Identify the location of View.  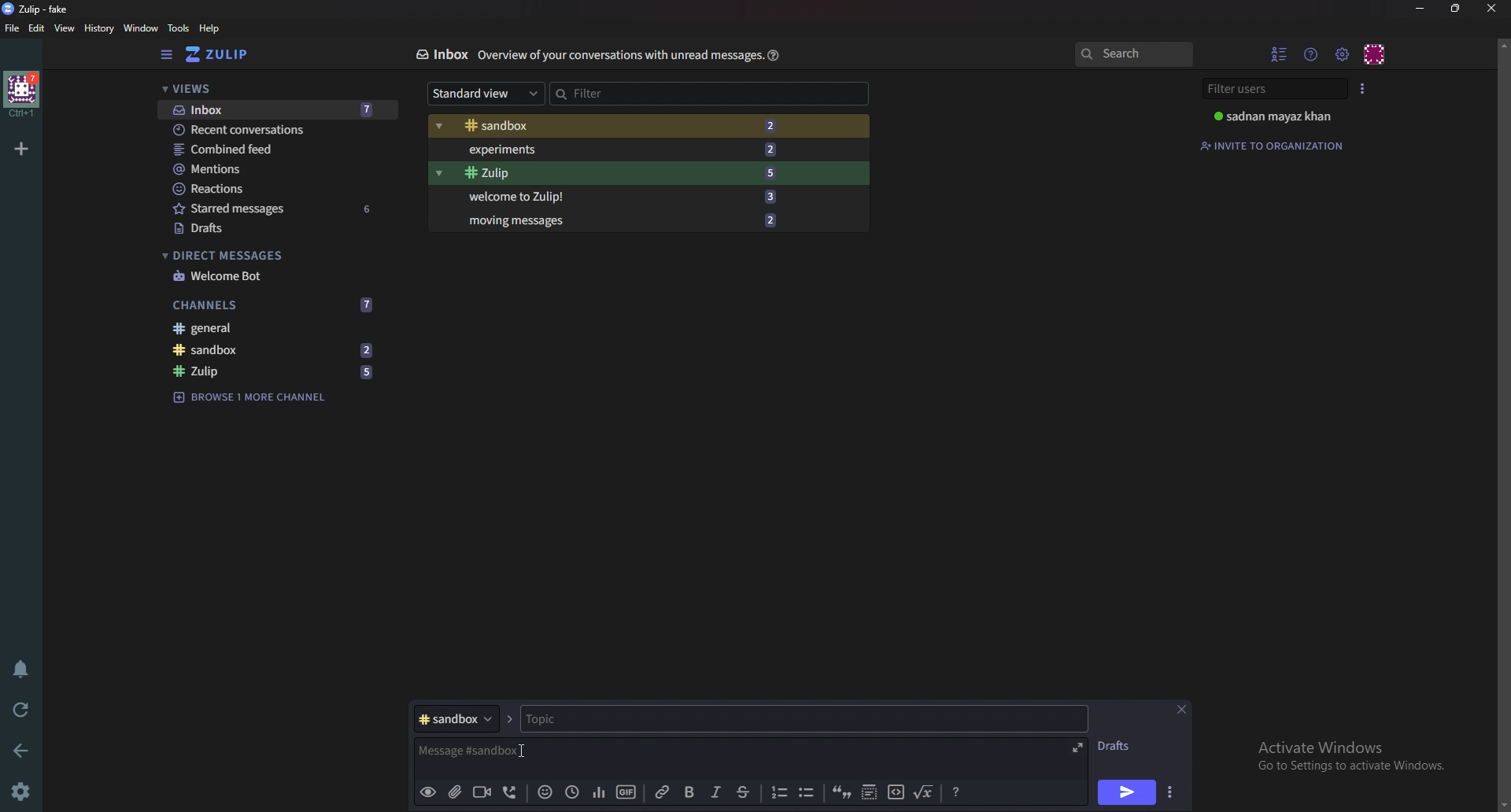
(65, 29).